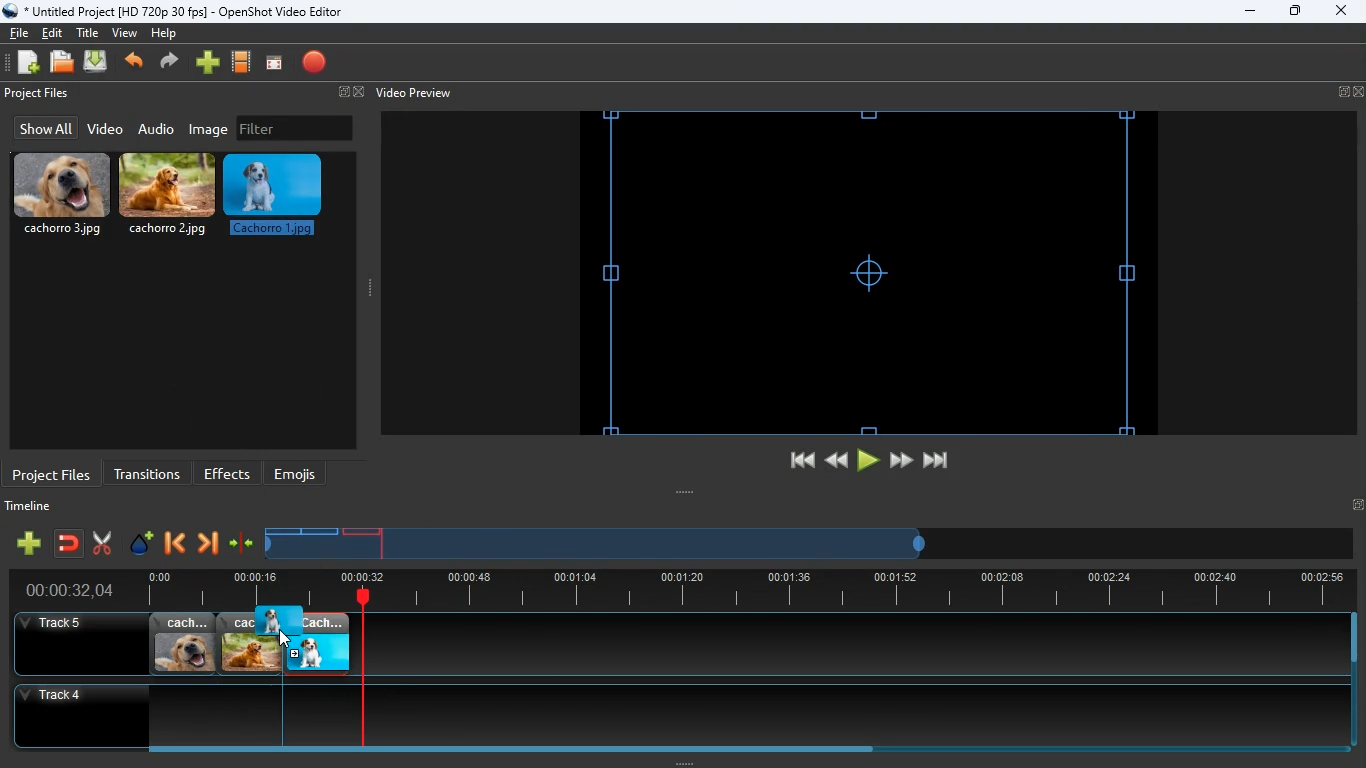  I want to click on Horizontal slide bar, so click(735, 749).